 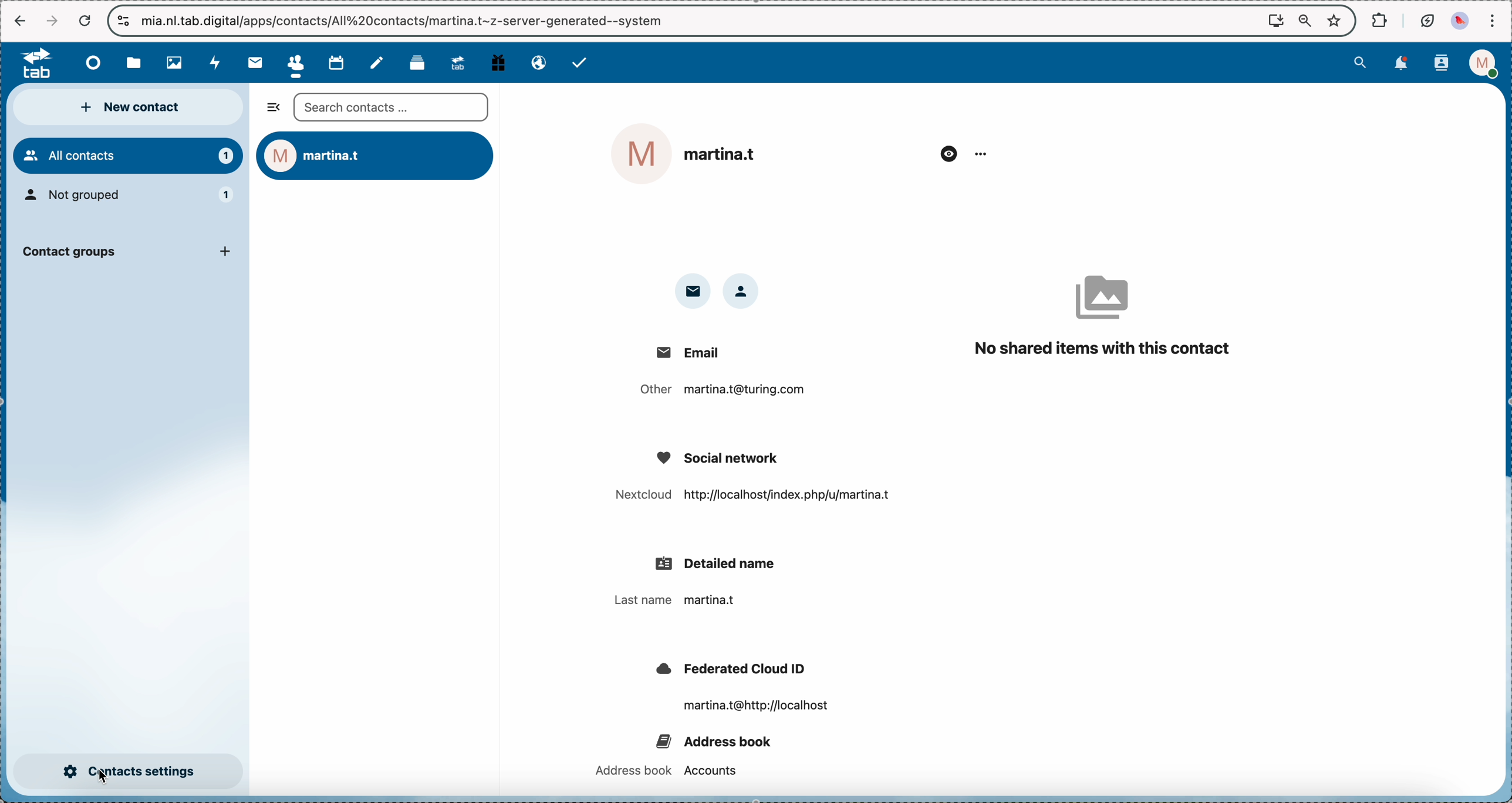 What do you see at coordinates (131, 109) in the screenshot?
I see `new contact` at bounding box center [131, 109].